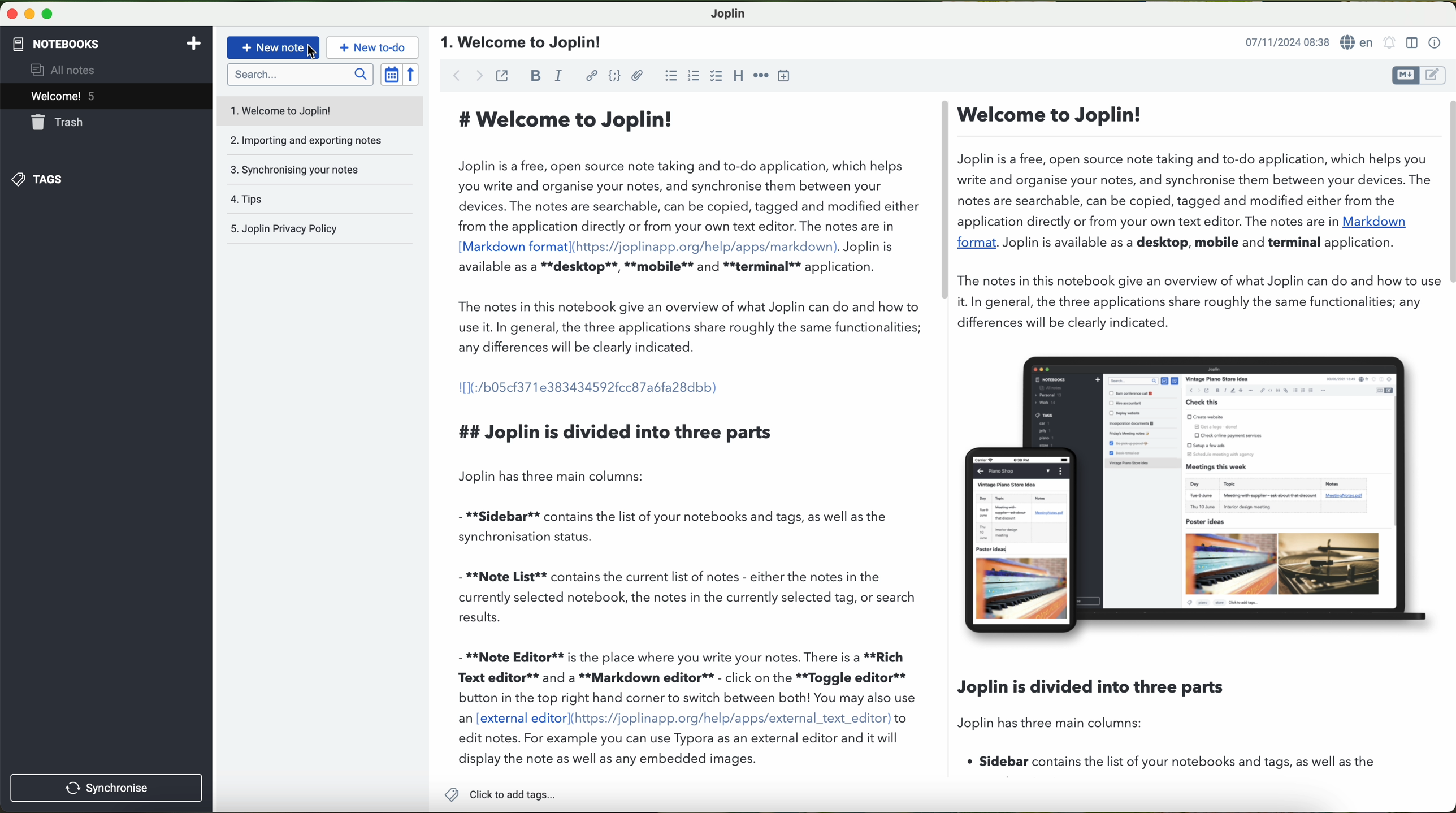 This screenshot has width=1456, height=813. Describe the element at coordinates (695, 75) in the screenshot. I see `numbered list` at that location.